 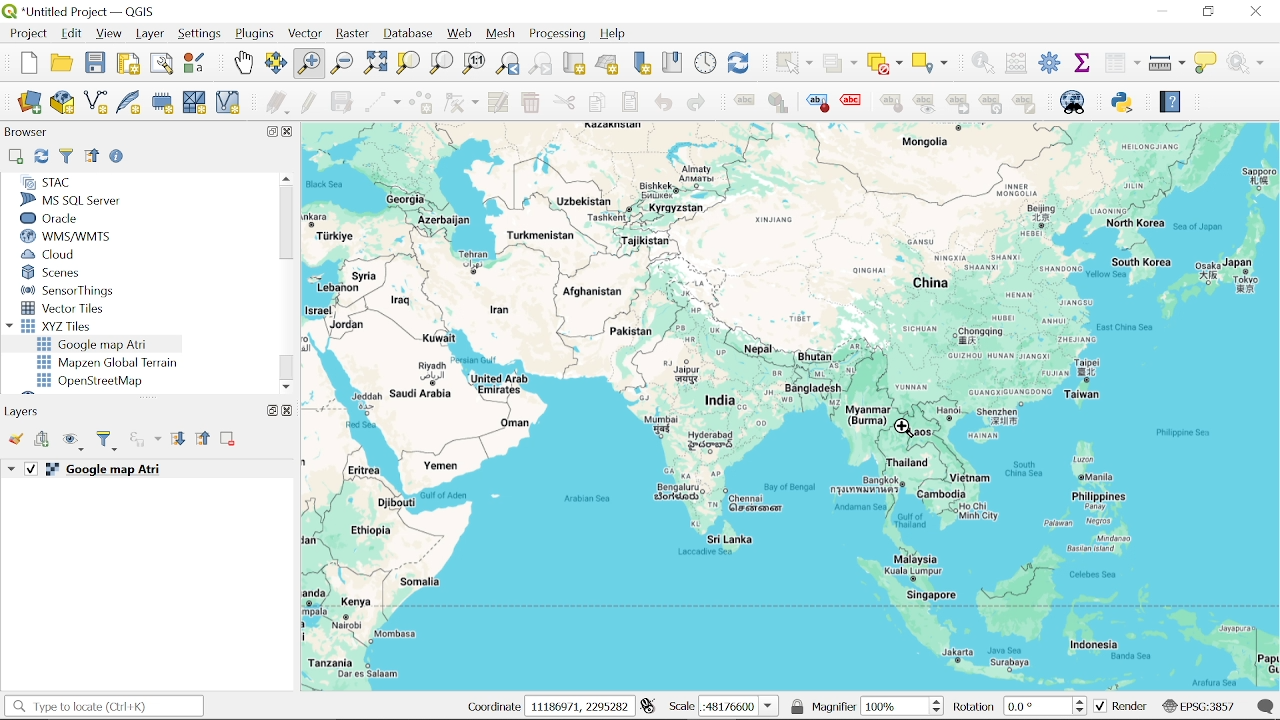 I want to click on Deelect features form all layers, so click(x=885, y=64).